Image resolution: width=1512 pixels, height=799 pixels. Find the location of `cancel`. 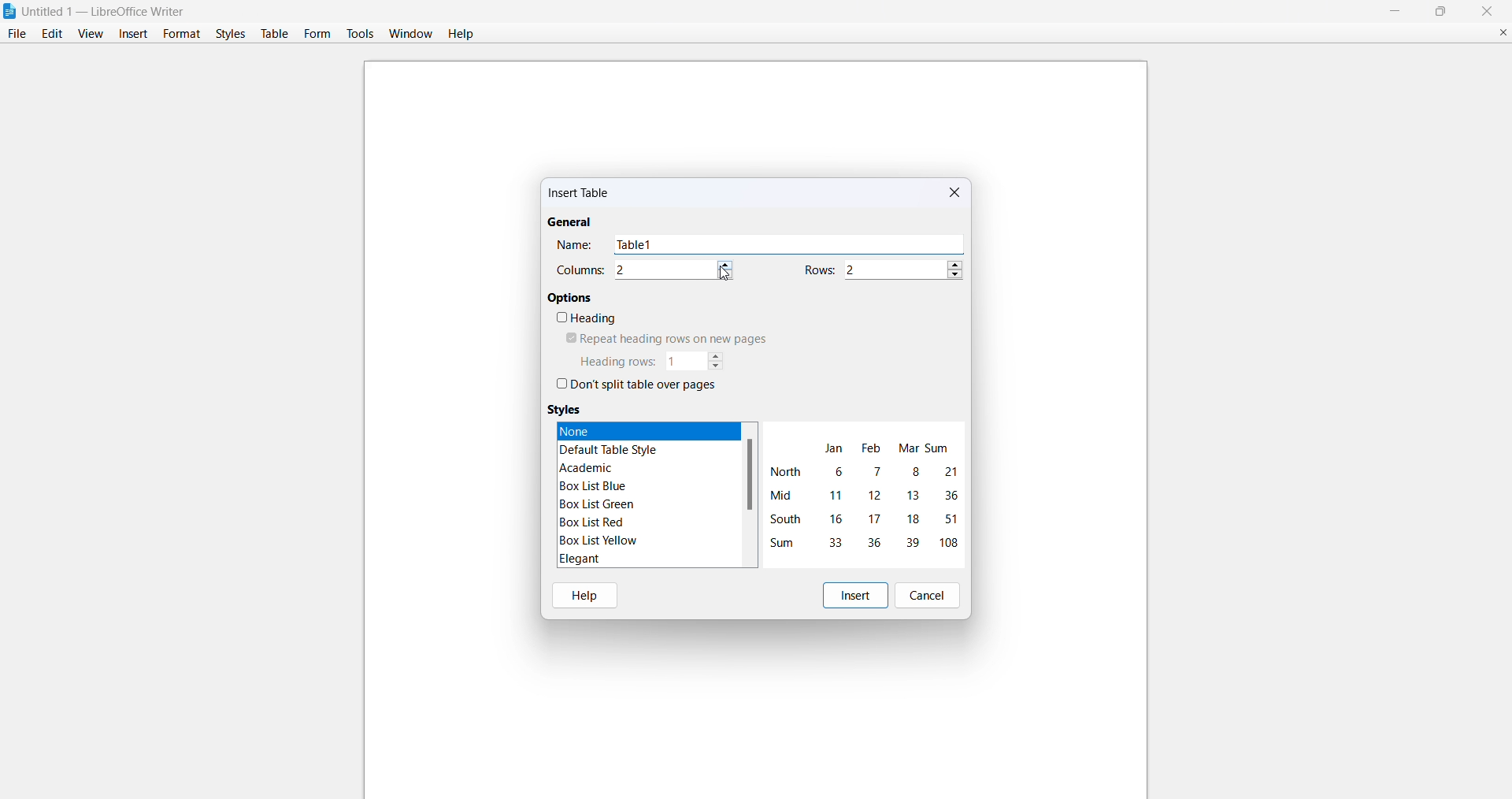

cancel is located at coordinates (931, 595).